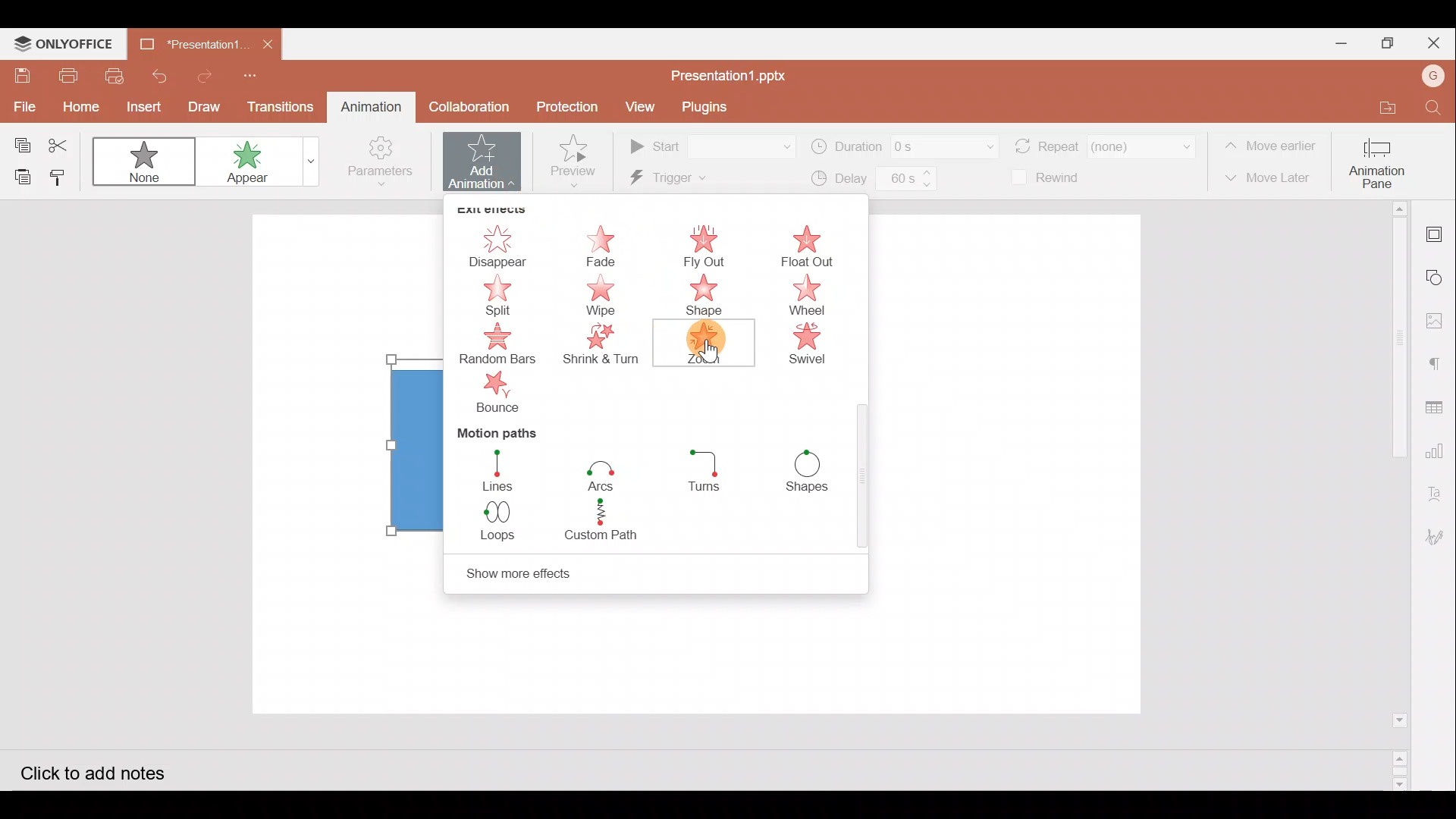 The width and height of the screenshot is (1456, 819). Describe the element at coordinates (637, 108) in the screenshot. I see `View` at that location.